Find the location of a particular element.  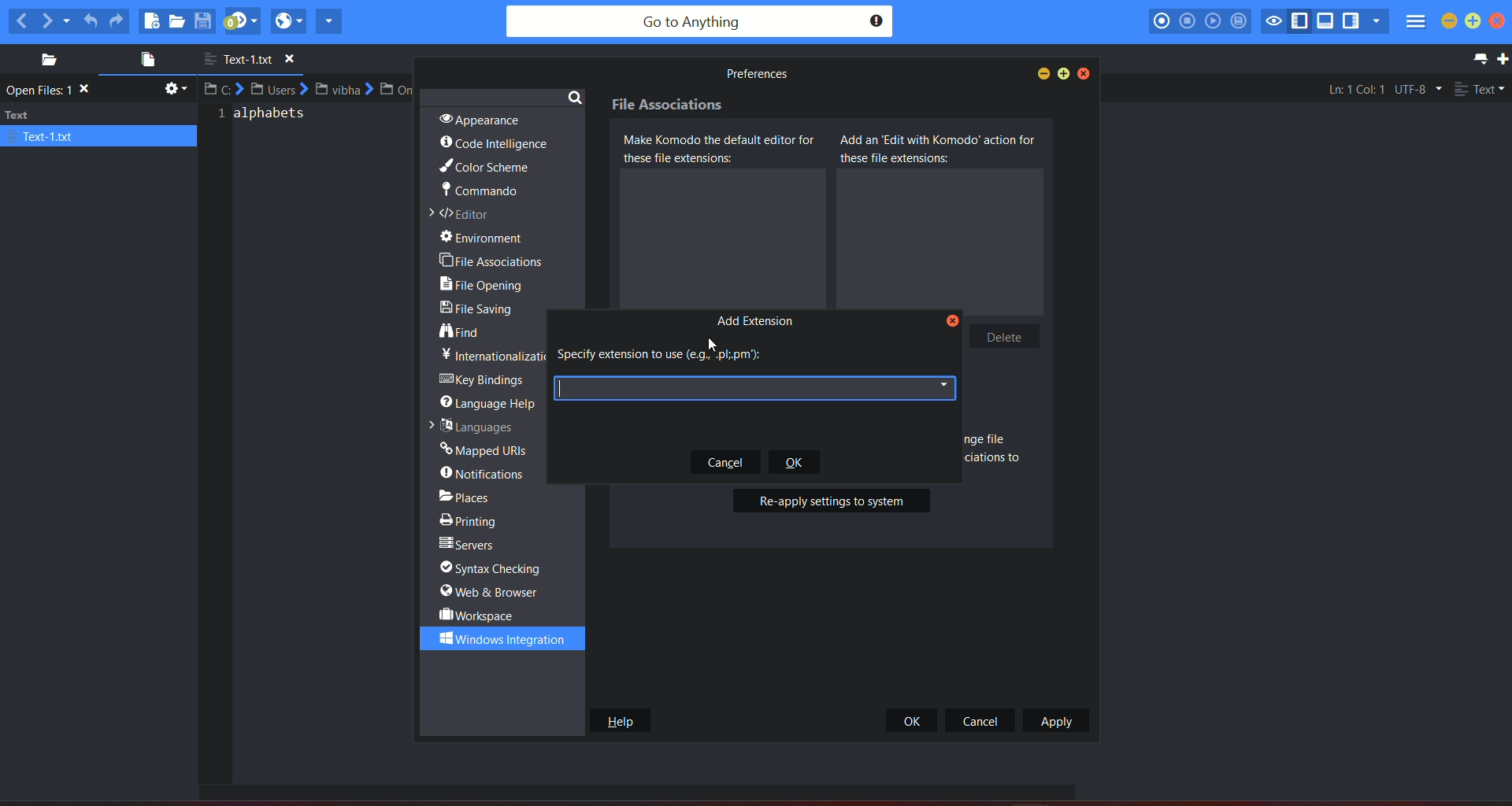

help is located at coordinates (619, 720).